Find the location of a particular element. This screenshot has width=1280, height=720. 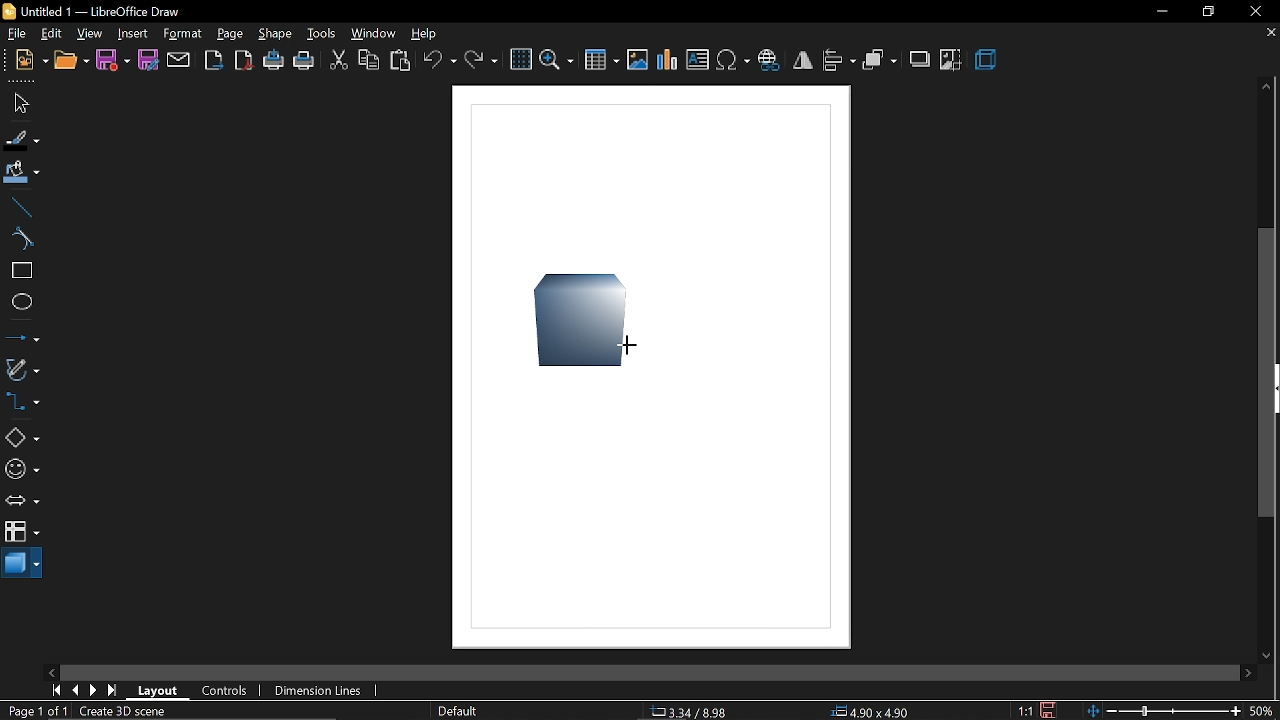

current page is located at coordinates (39, 712).